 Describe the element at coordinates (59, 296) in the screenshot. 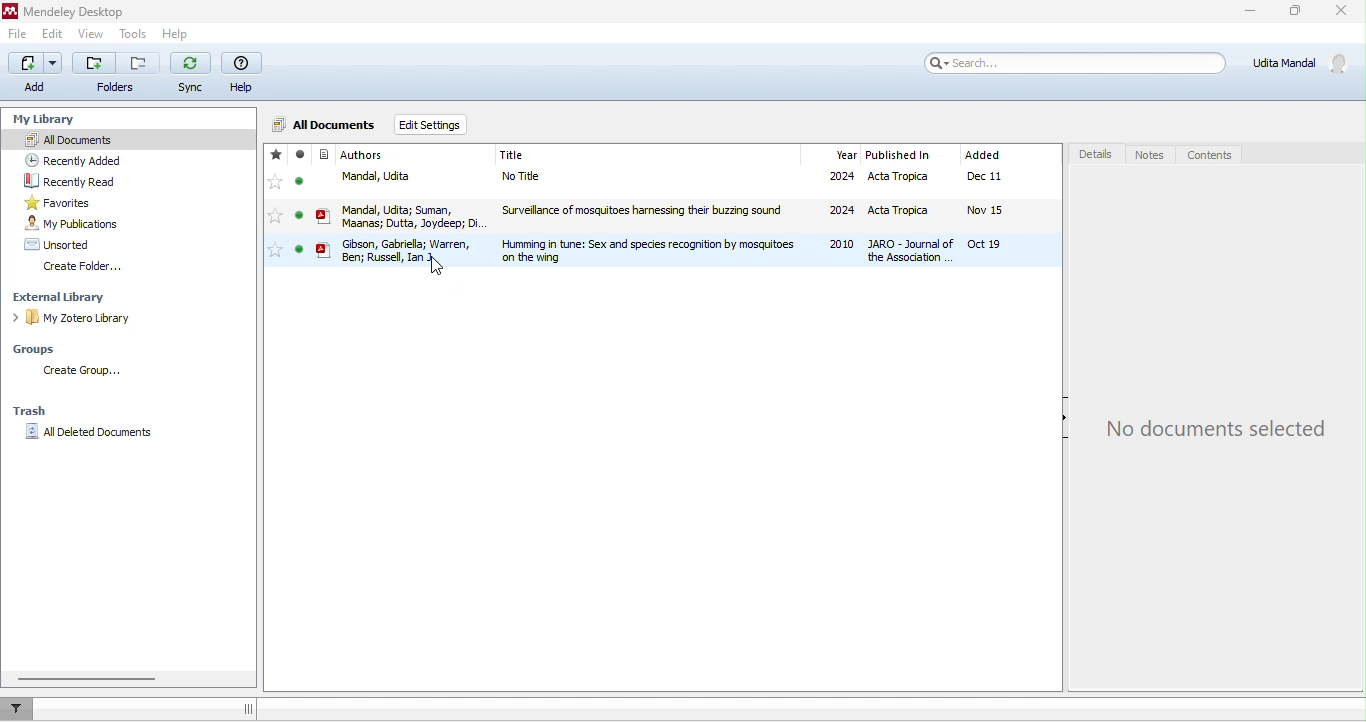

I see `external library` at that location.